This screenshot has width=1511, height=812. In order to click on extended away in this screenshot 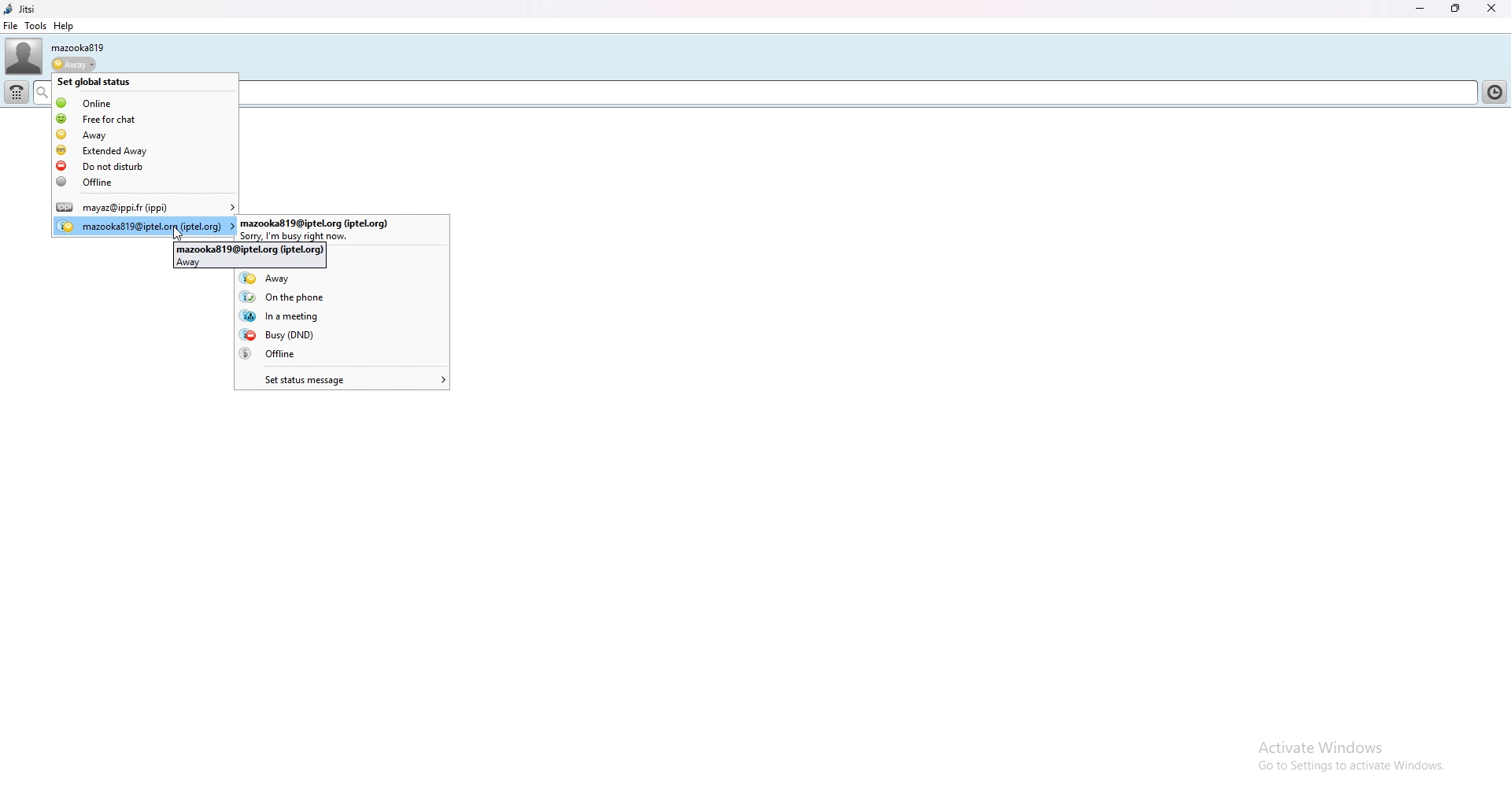, I will do `click(144, 150)`.